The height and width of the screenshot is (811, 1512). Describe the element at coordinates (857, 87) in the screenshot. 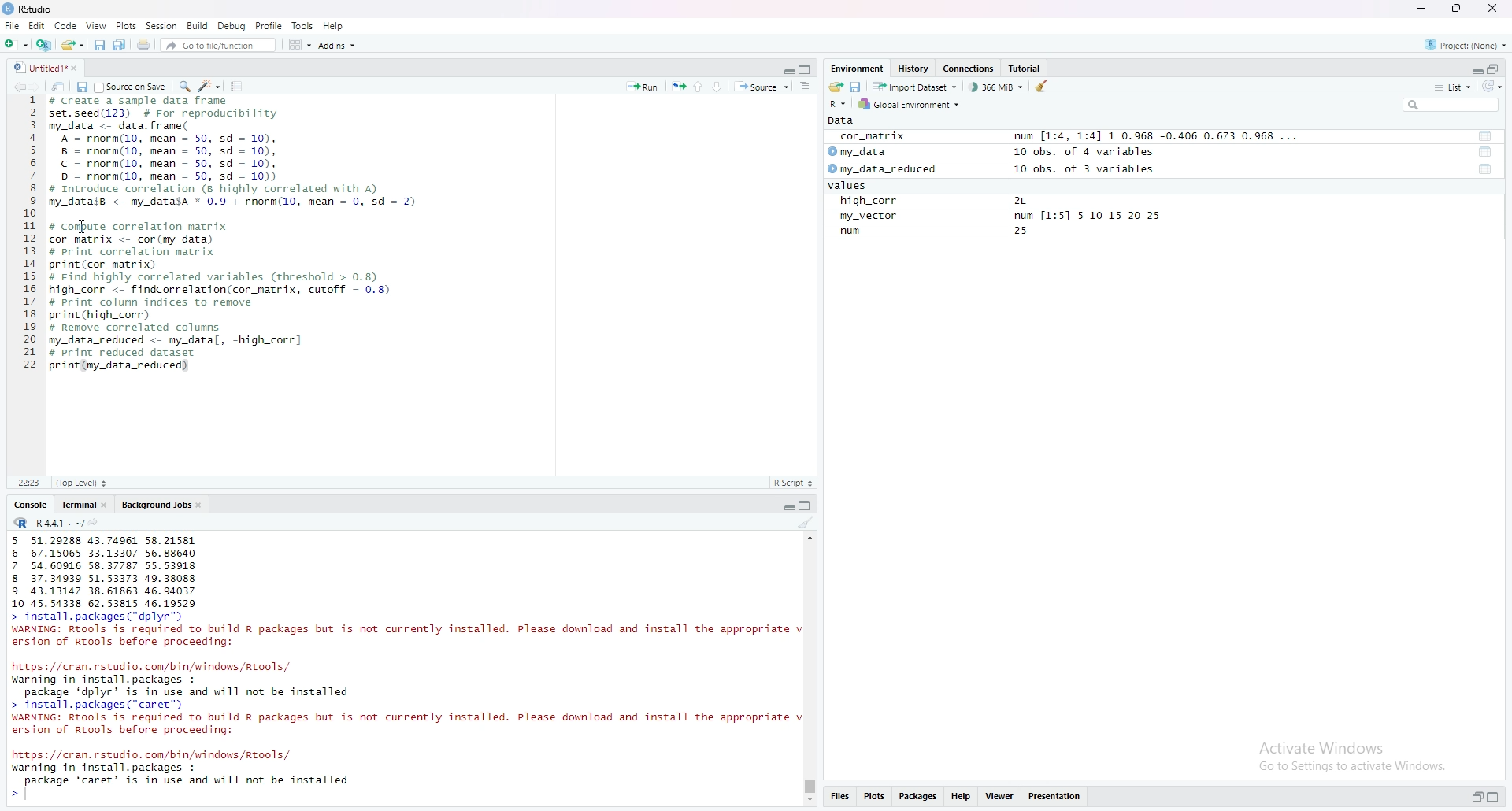

I see `save` at that location.